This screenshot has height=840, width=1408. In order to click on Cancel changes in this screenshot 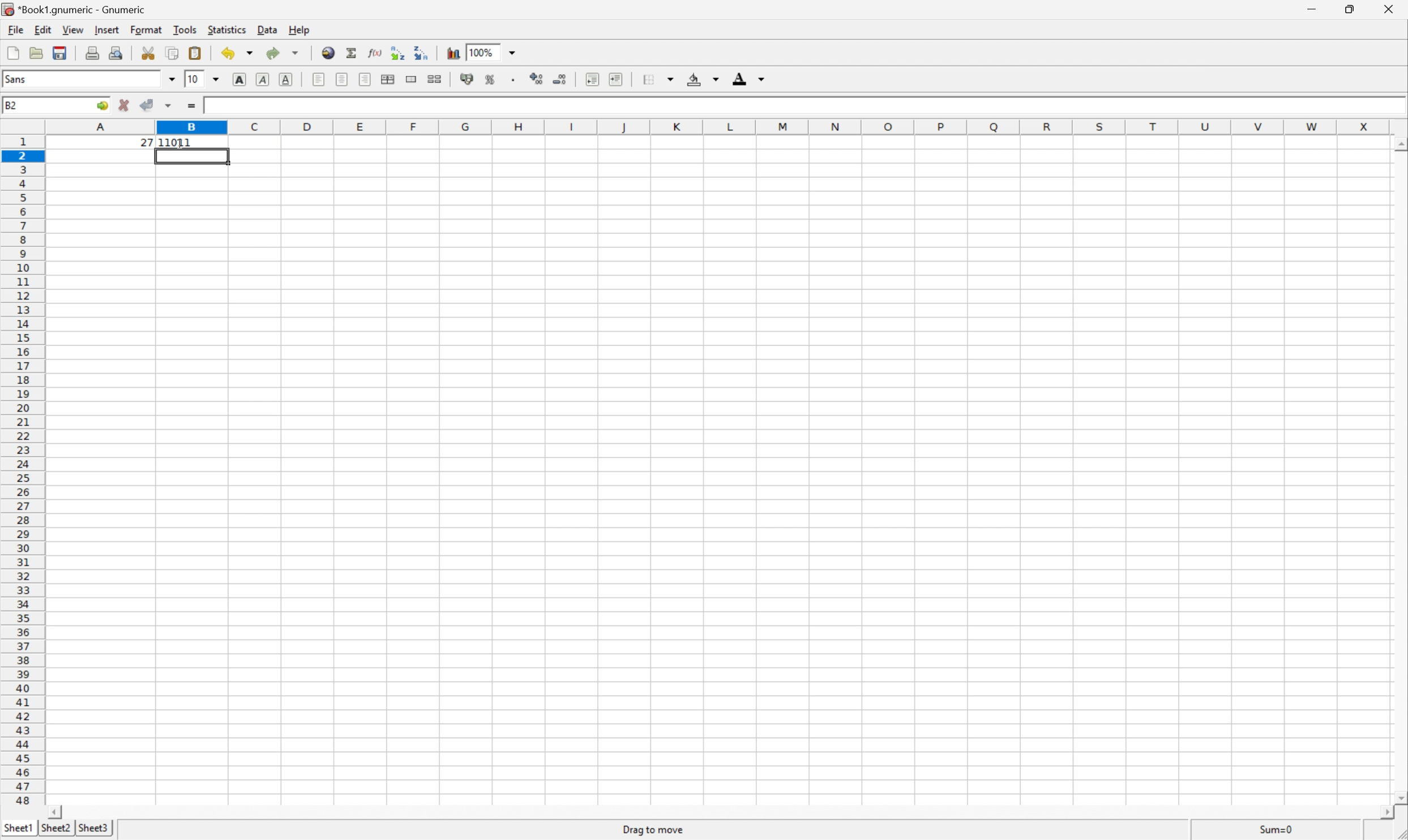, I will do `click(126, 104)`.